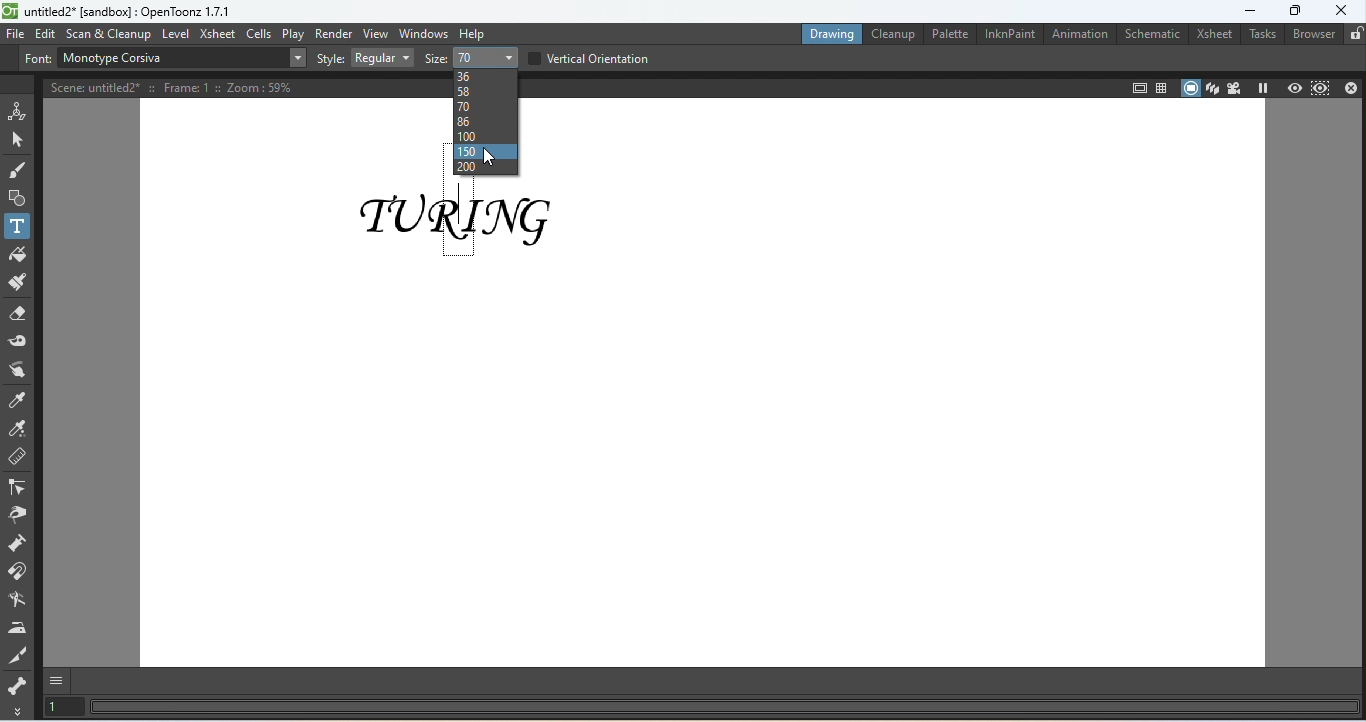 The height and width of the screenshot is (722, 1366). Describe the element at coordinates (484, 75) in the screenshot. I see `36` at that location.